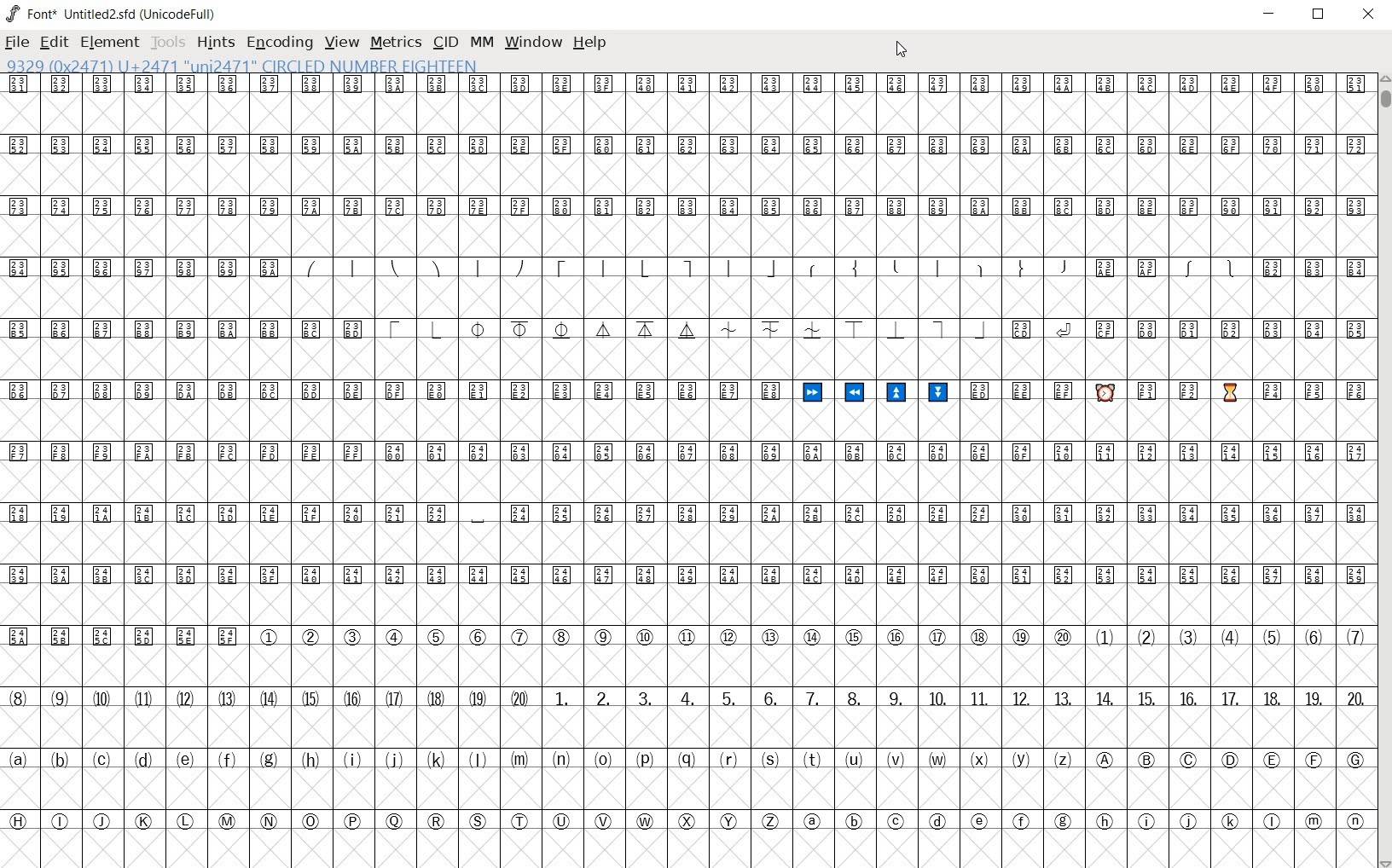  Describe the element at coordinates (900, 51) in the screenshot. I see `cursor` at that location.